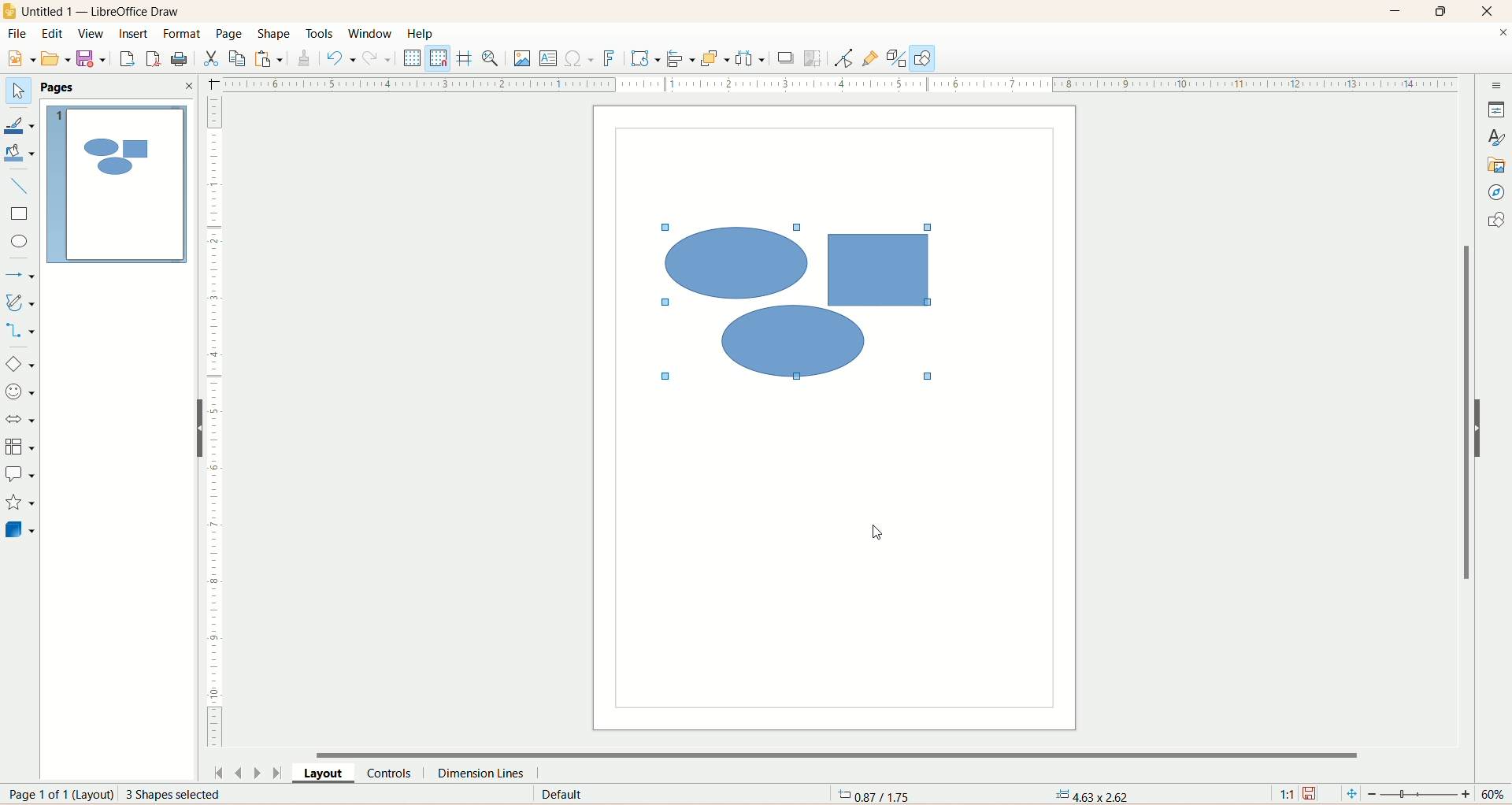  Describe the element at coordinates (19, 395) in the screenshot. I see `symbol shapes` at that location.